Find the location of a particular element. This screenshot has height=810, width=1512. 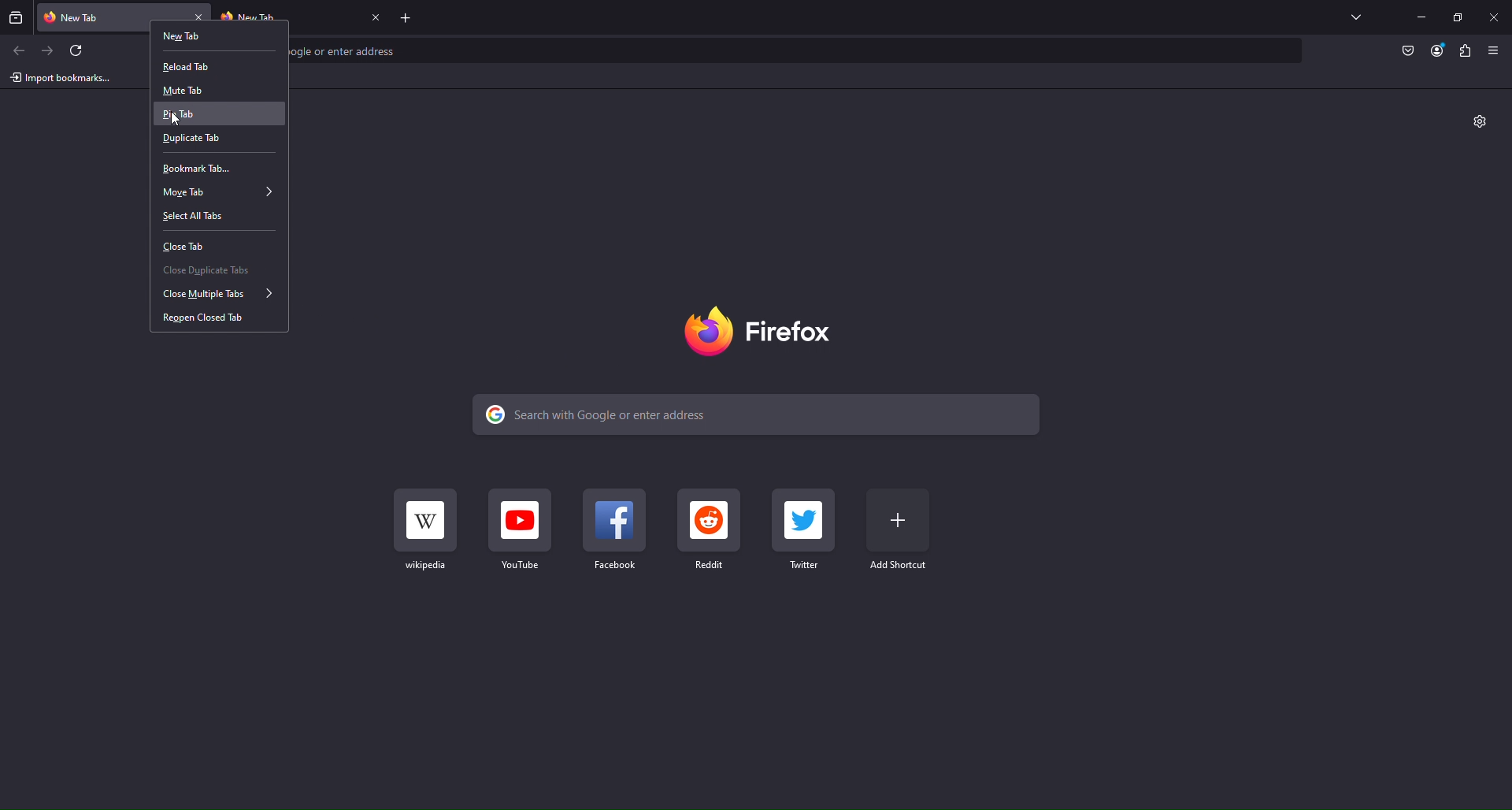

Pin Tab is located at coordinates (220, 114).